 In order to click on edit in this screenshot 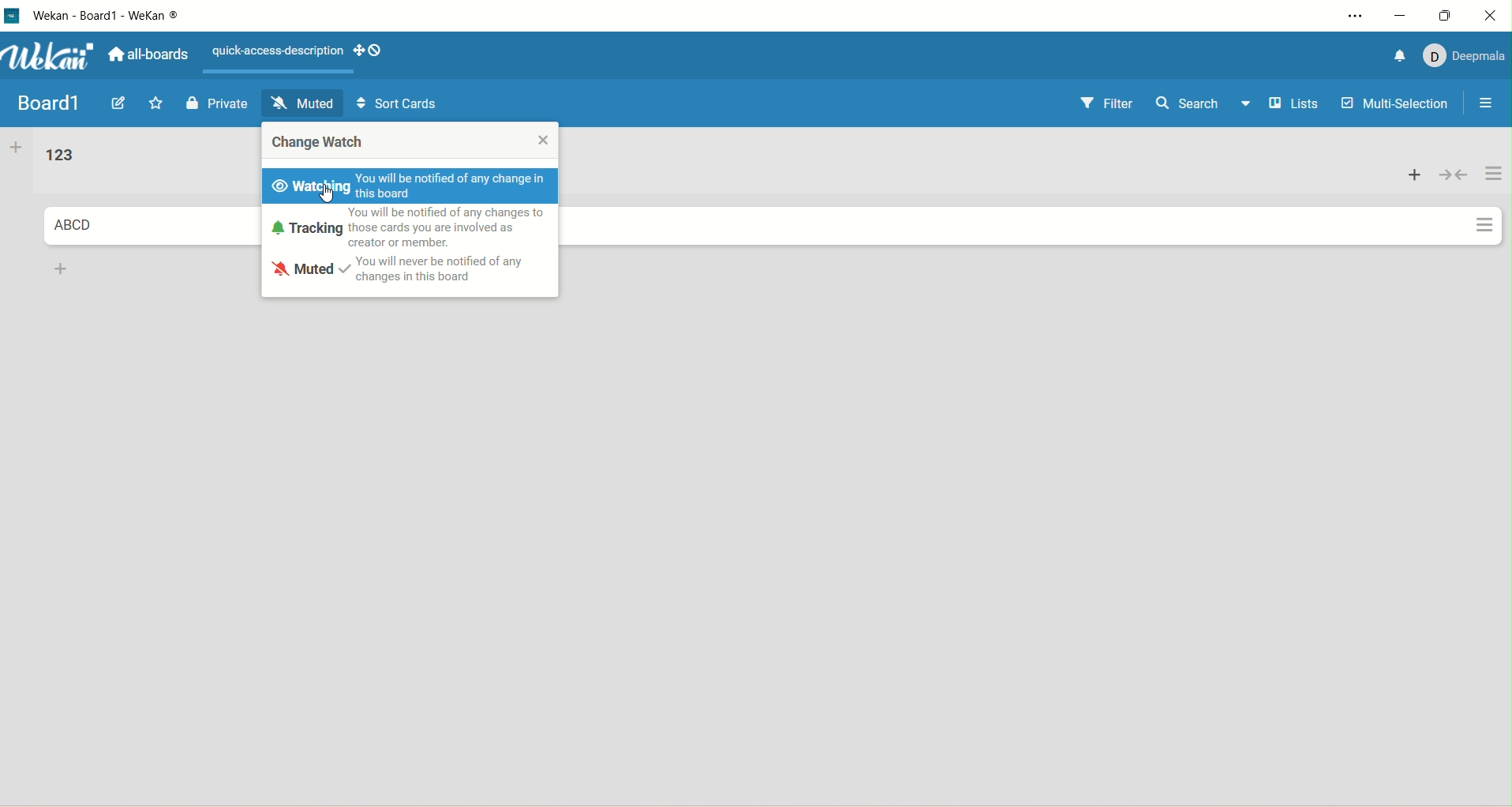, I will do `click(122, 104)`.